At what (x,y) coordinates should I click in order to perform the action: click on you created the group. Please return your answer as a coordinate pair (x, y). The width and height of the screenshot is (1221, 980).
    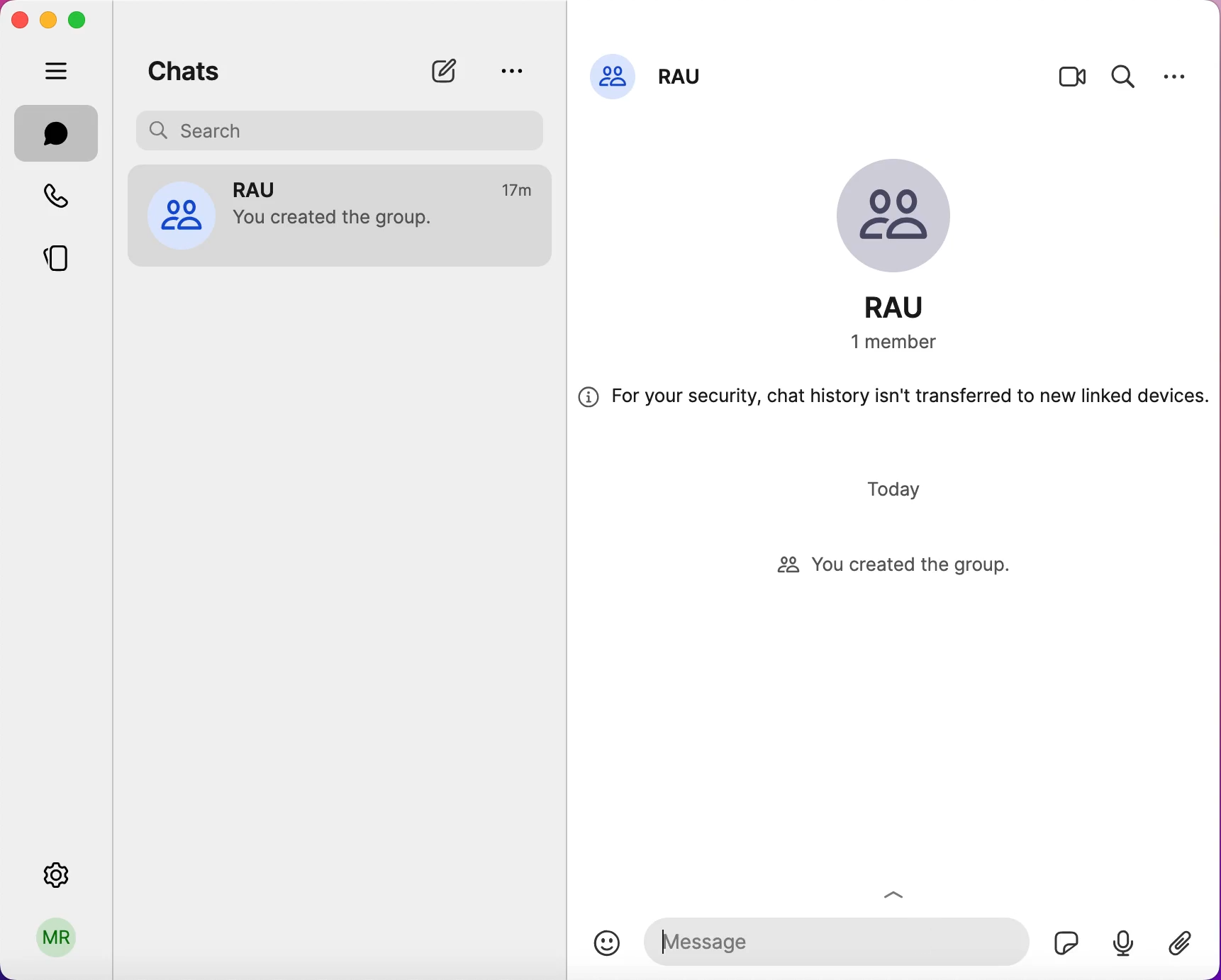
    Looking at the image, I should click on (908, 567).